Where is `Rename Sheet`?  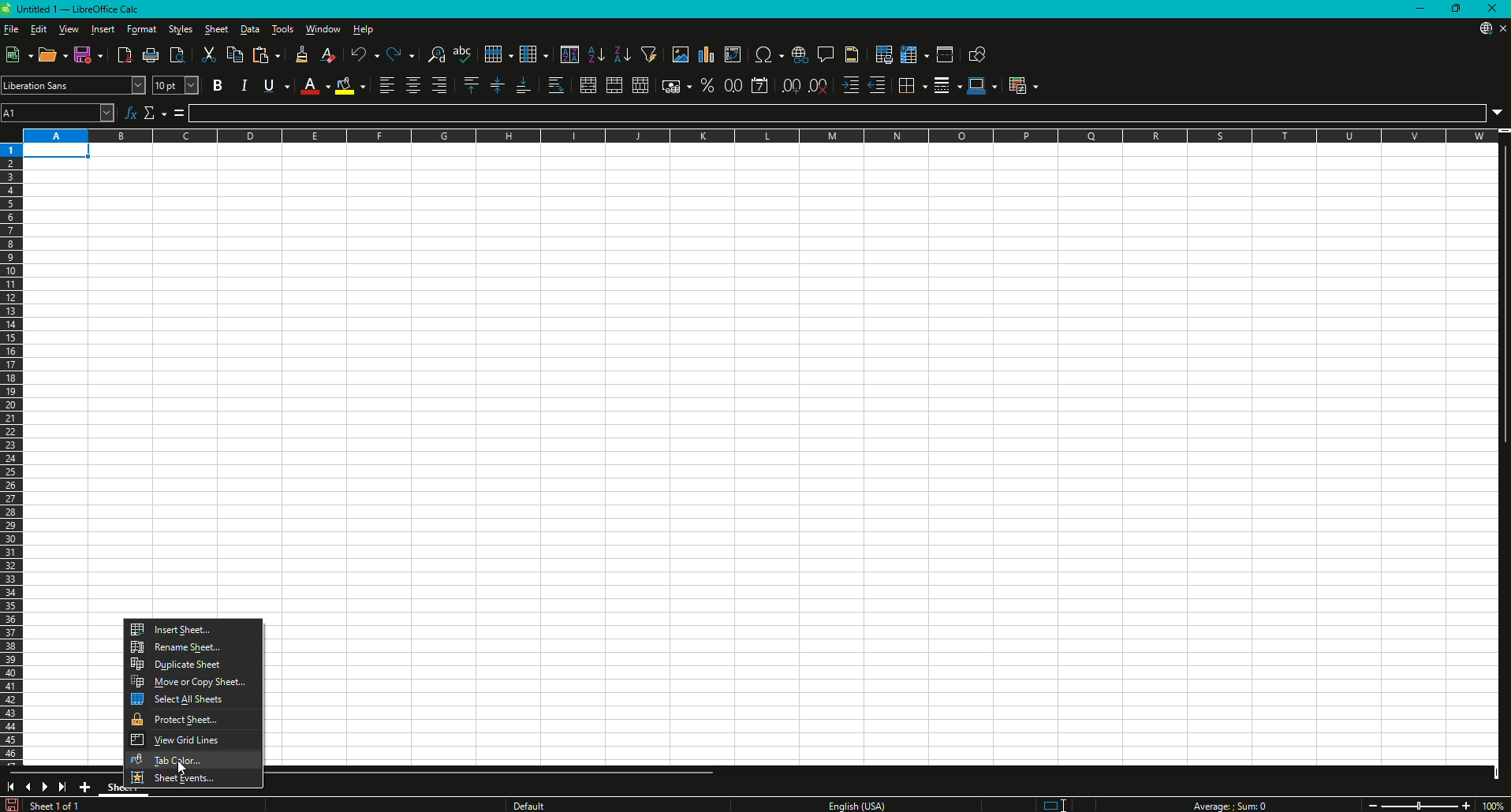 Rename Sheet is located at coordinates (192, 647).